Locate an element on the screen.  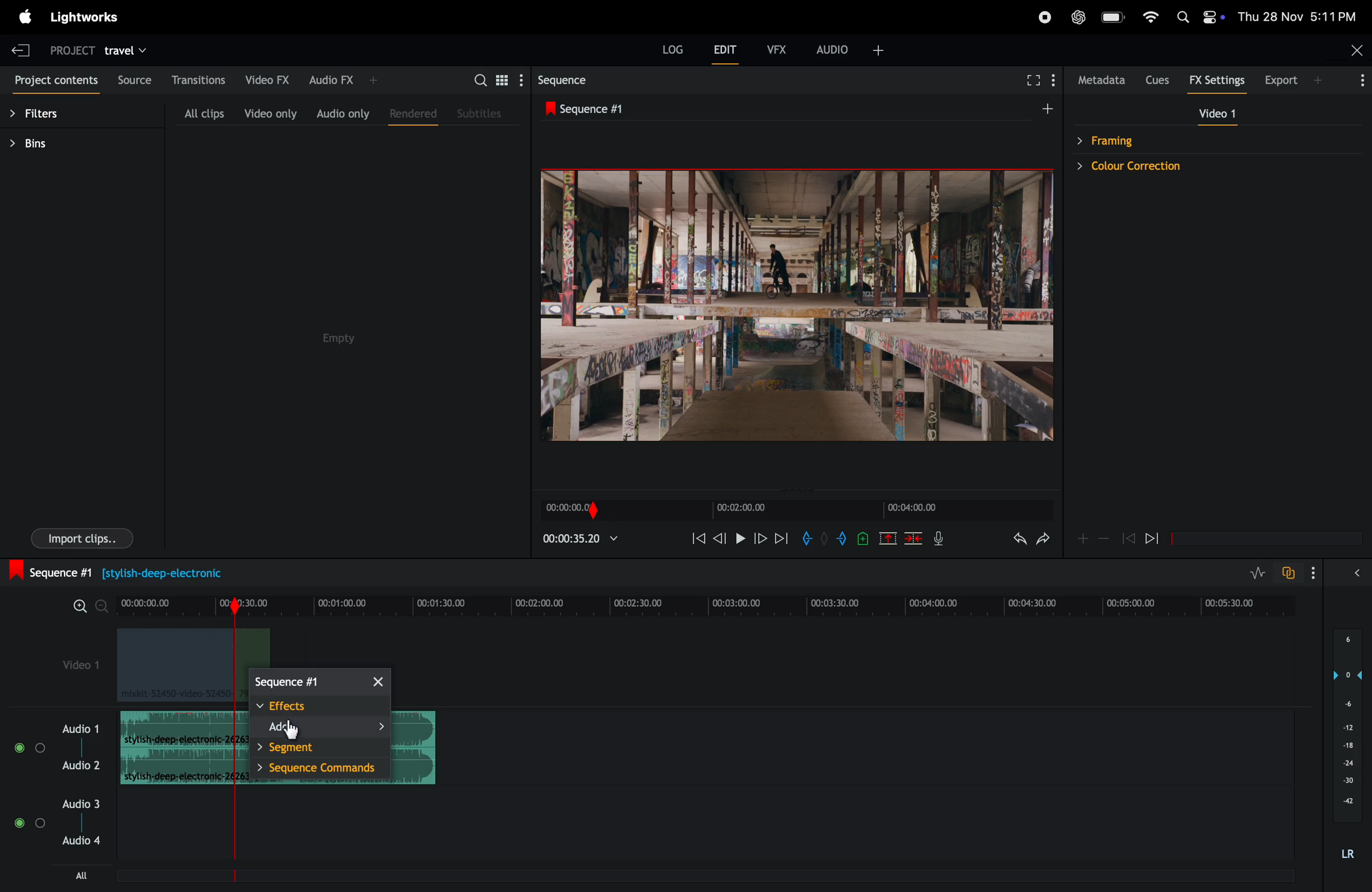
cues is located at coordinates (1156, 80).